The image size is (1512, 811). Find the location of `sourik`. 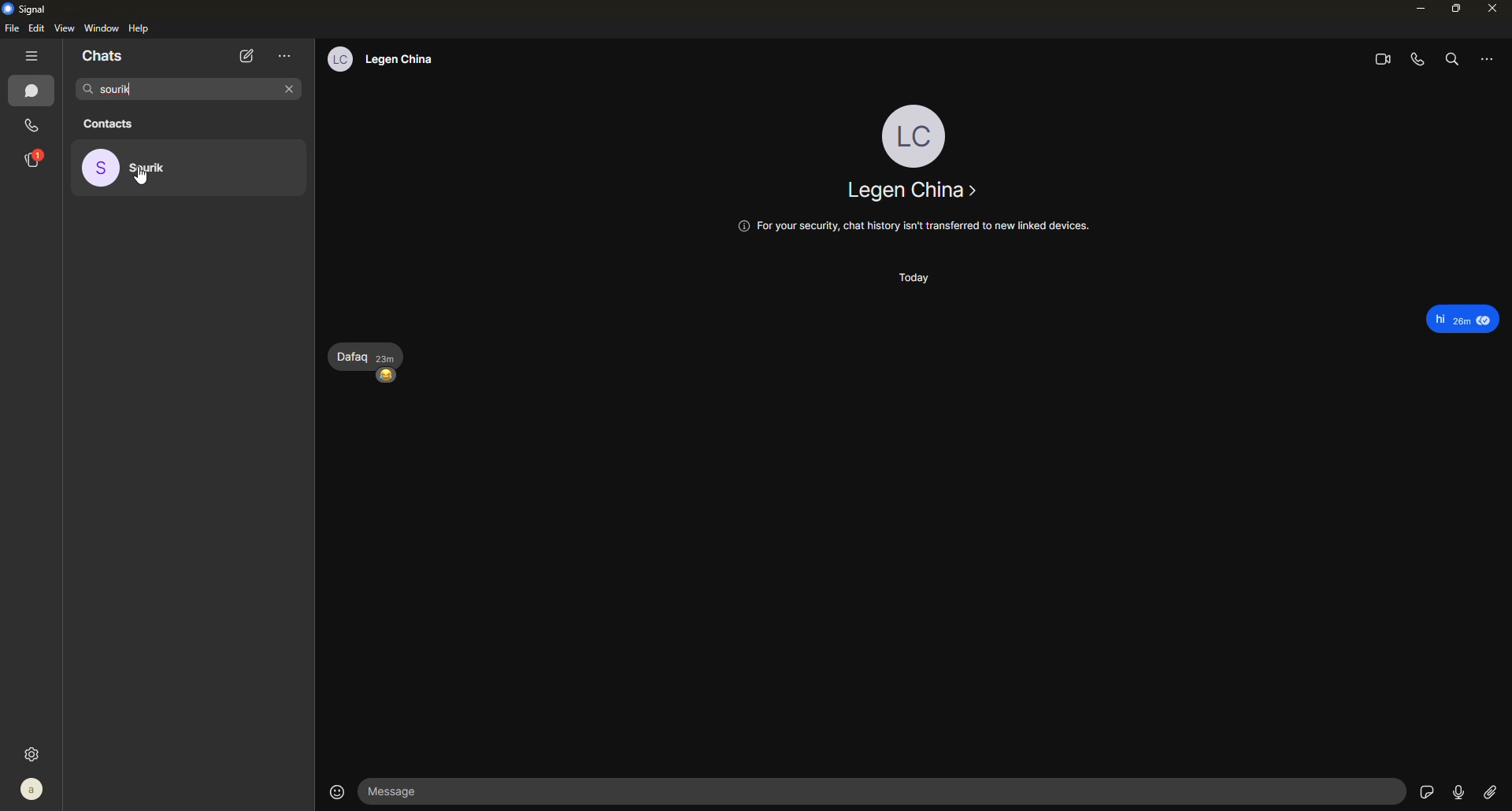

sourik is located at coordinates (130, 90).